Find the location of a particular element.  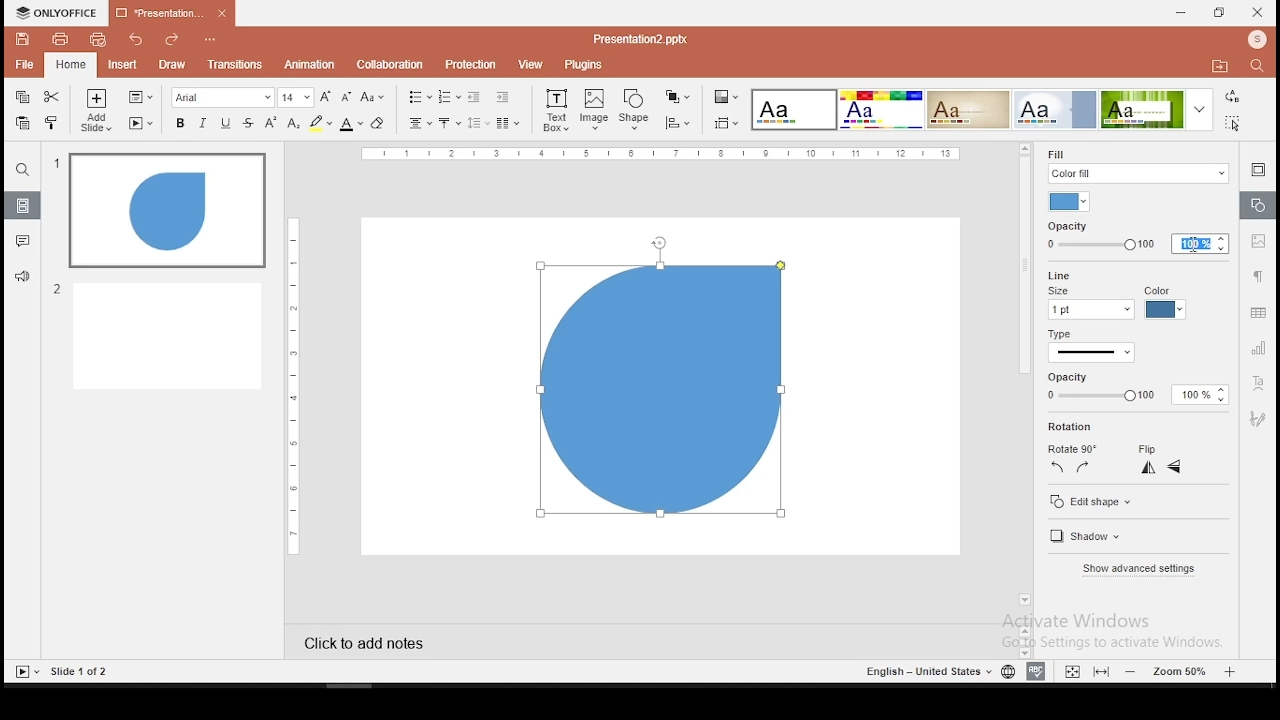

paragraph settings is located at coordinates (1258, 276).